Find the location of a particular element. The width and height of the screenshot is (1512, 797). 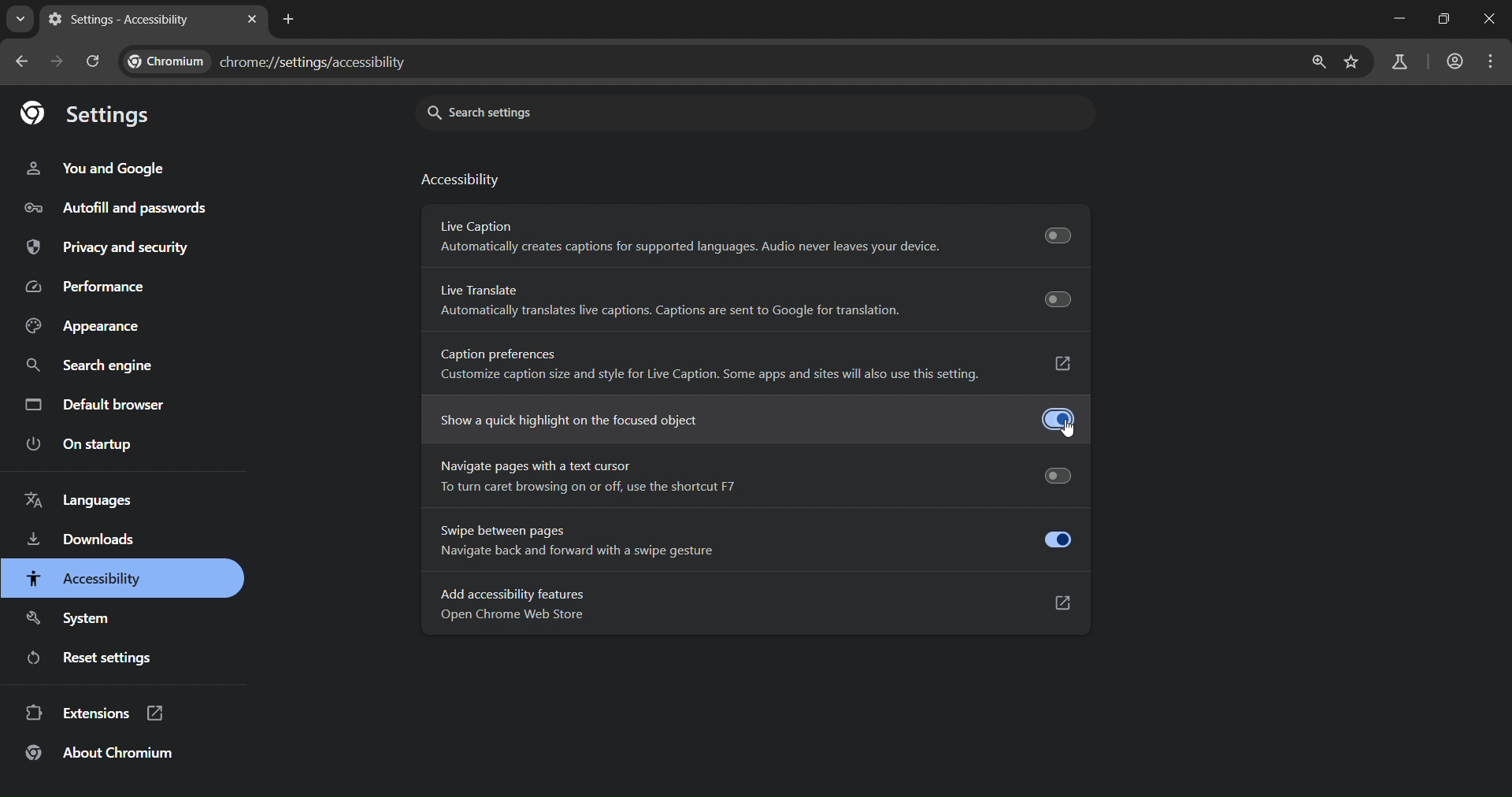

add accessibility features is located at coordinates (623, 606).